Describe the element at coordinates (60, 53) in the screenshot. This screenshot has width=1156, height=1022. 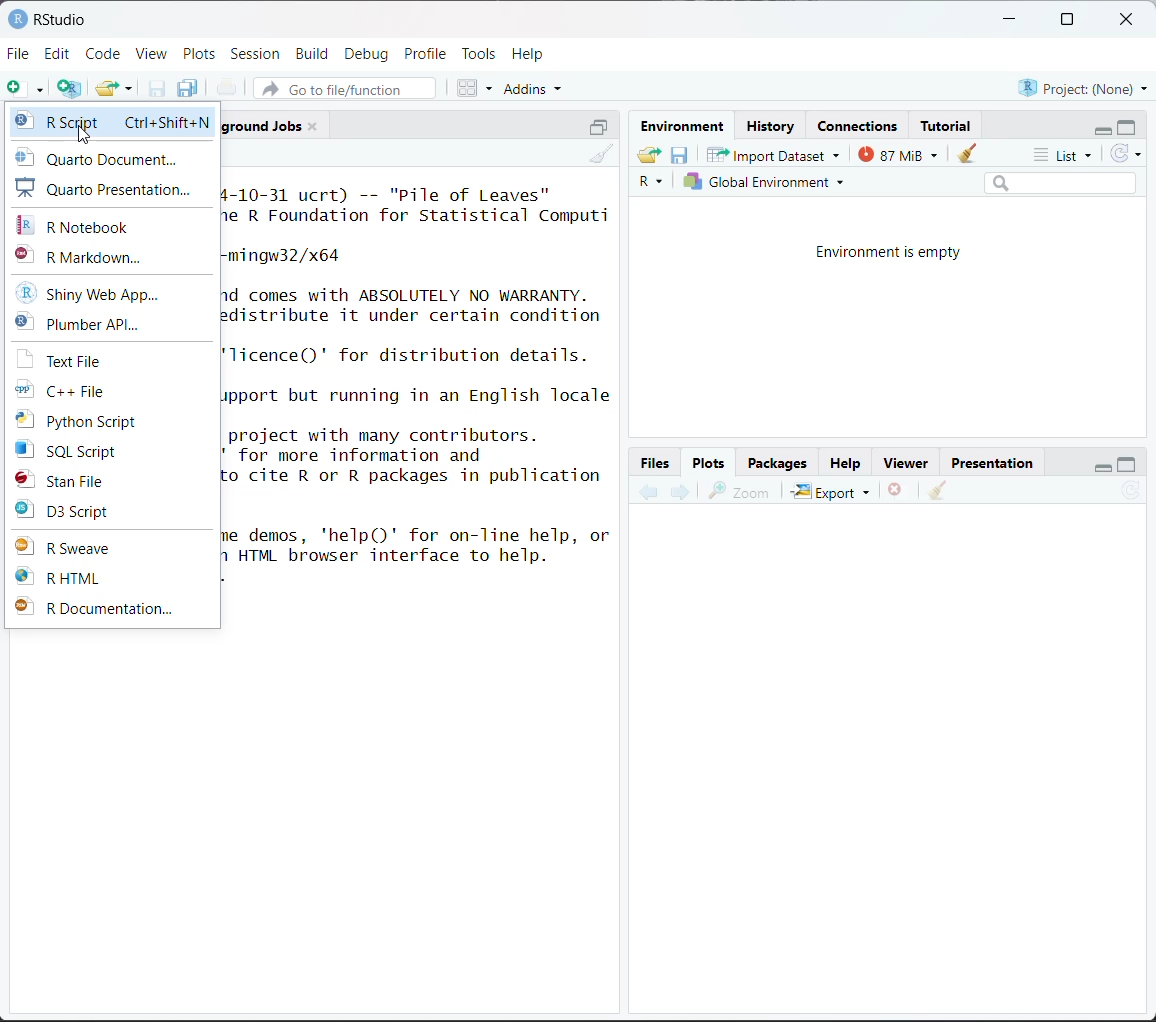
I see `Edit` at that location.